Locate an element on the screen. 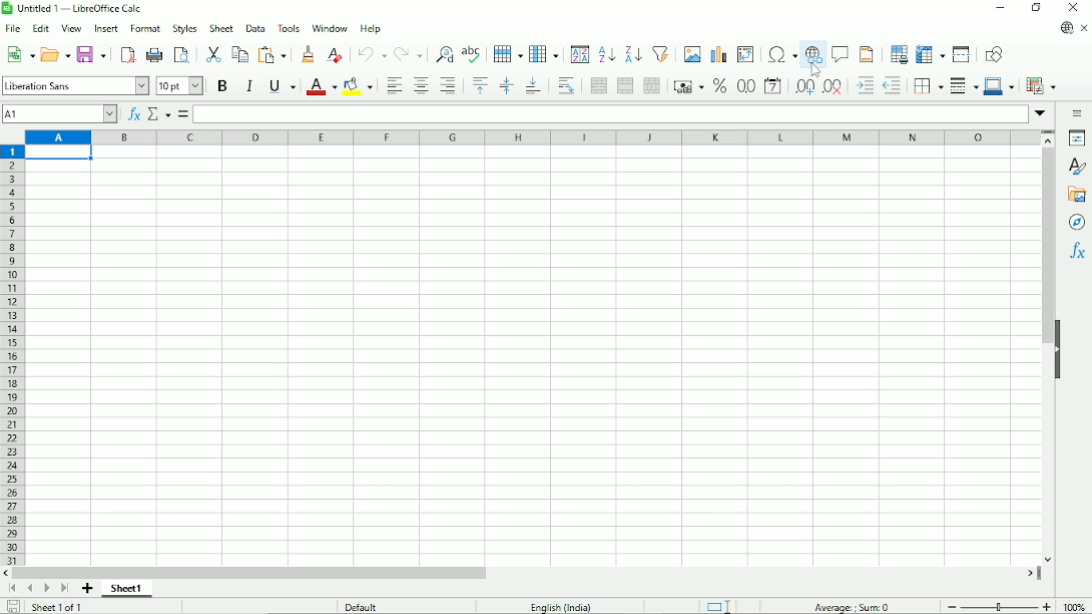 Image resolution: width=1092 pixels, height=614 pixels. Define print area is located at coordinates (898, 53).